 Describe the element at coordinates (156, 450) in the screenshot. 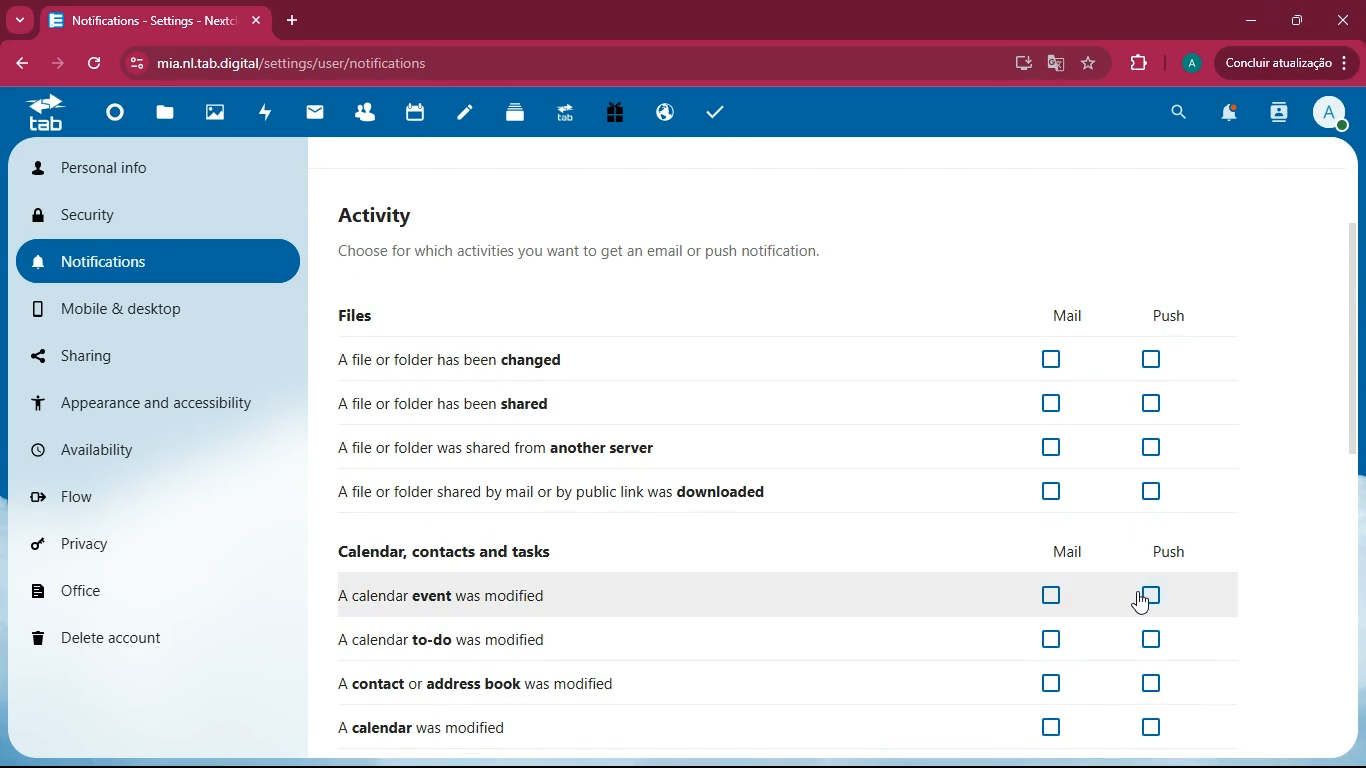

I see `availability` at that location.